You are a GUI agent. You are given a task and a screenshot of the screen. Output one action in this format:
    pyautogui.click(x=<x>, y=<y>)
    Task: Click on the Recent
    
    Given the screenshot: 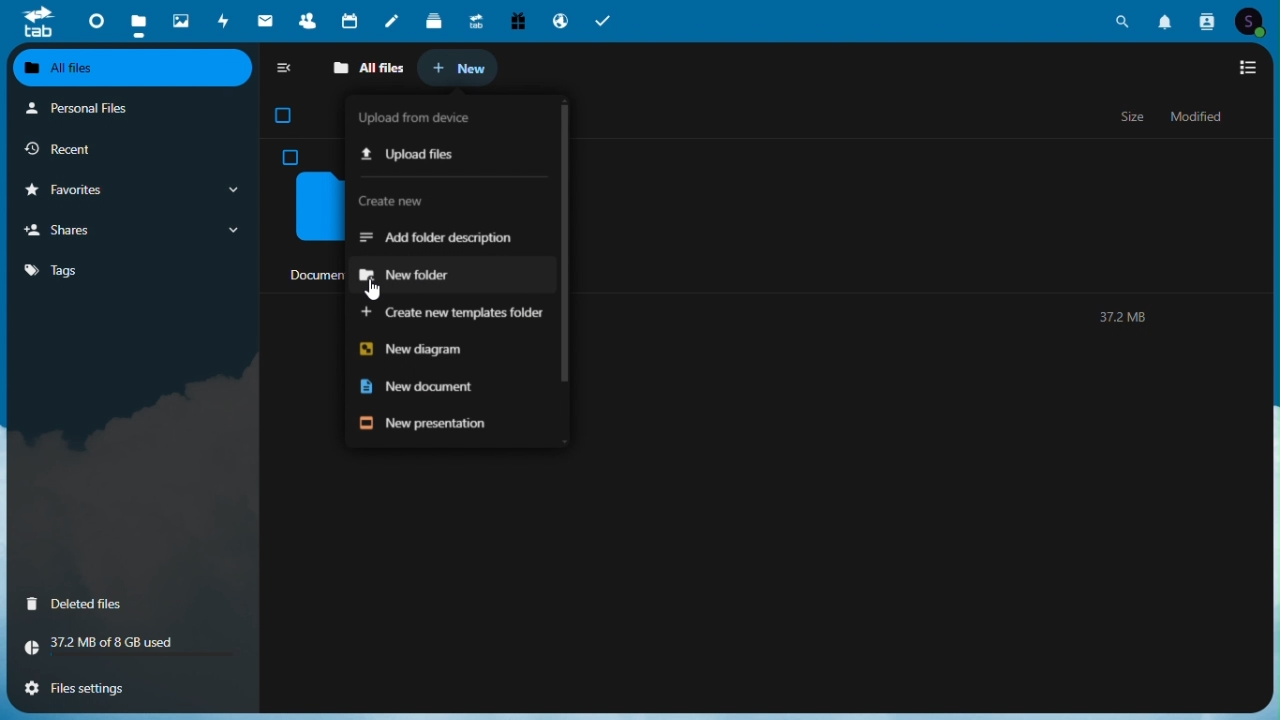 What is the action you would take?
    pyautogui.click(x=125, y=152)
    